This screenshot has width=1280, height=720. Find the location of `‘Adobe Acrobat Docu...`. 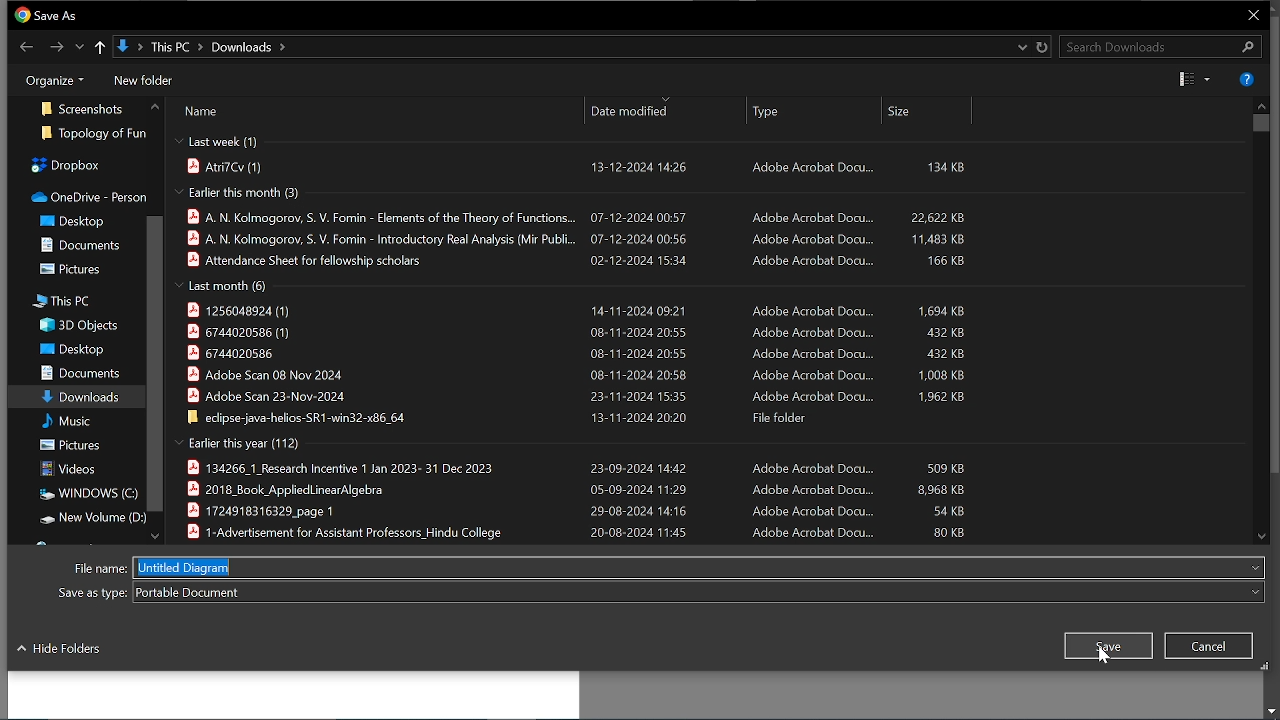

‘Adobe Acrobat Docu... is located at coordinates (807, 262).